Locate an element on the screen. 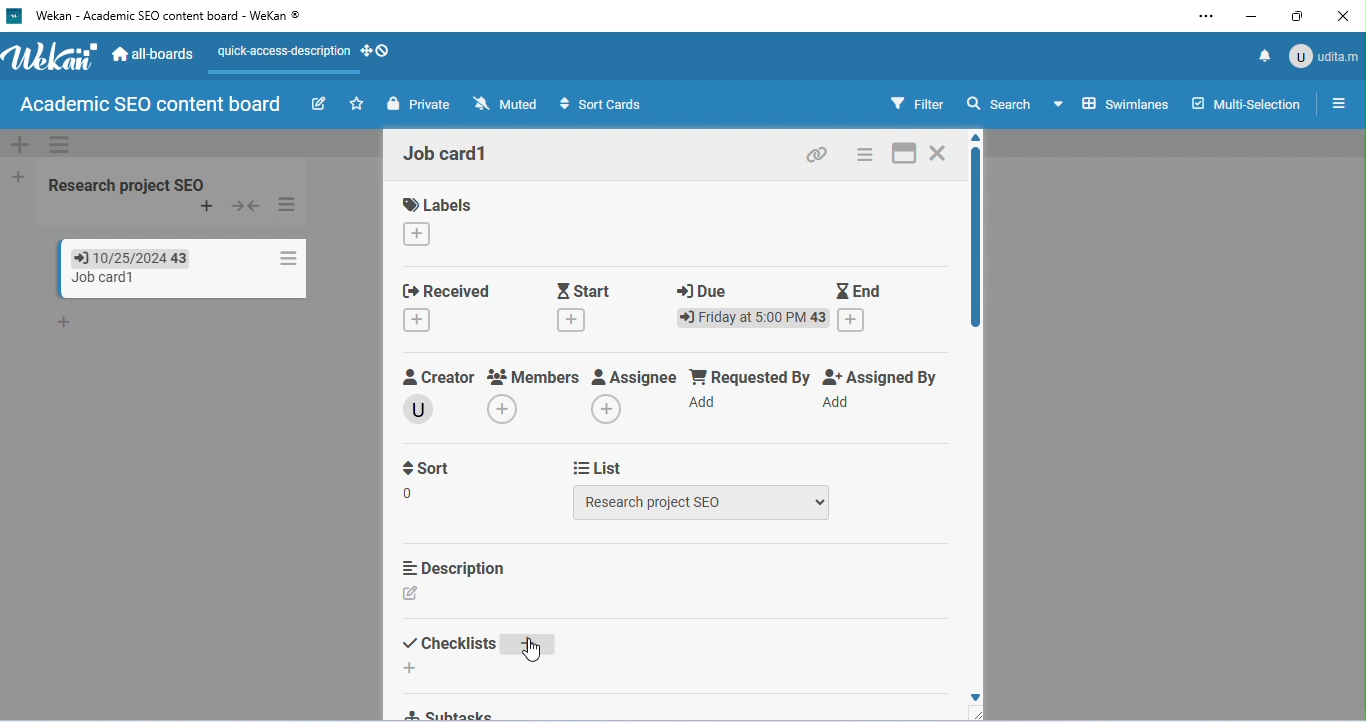 The image size is (1366, 722). close the card is located at coordinates (941, 153).